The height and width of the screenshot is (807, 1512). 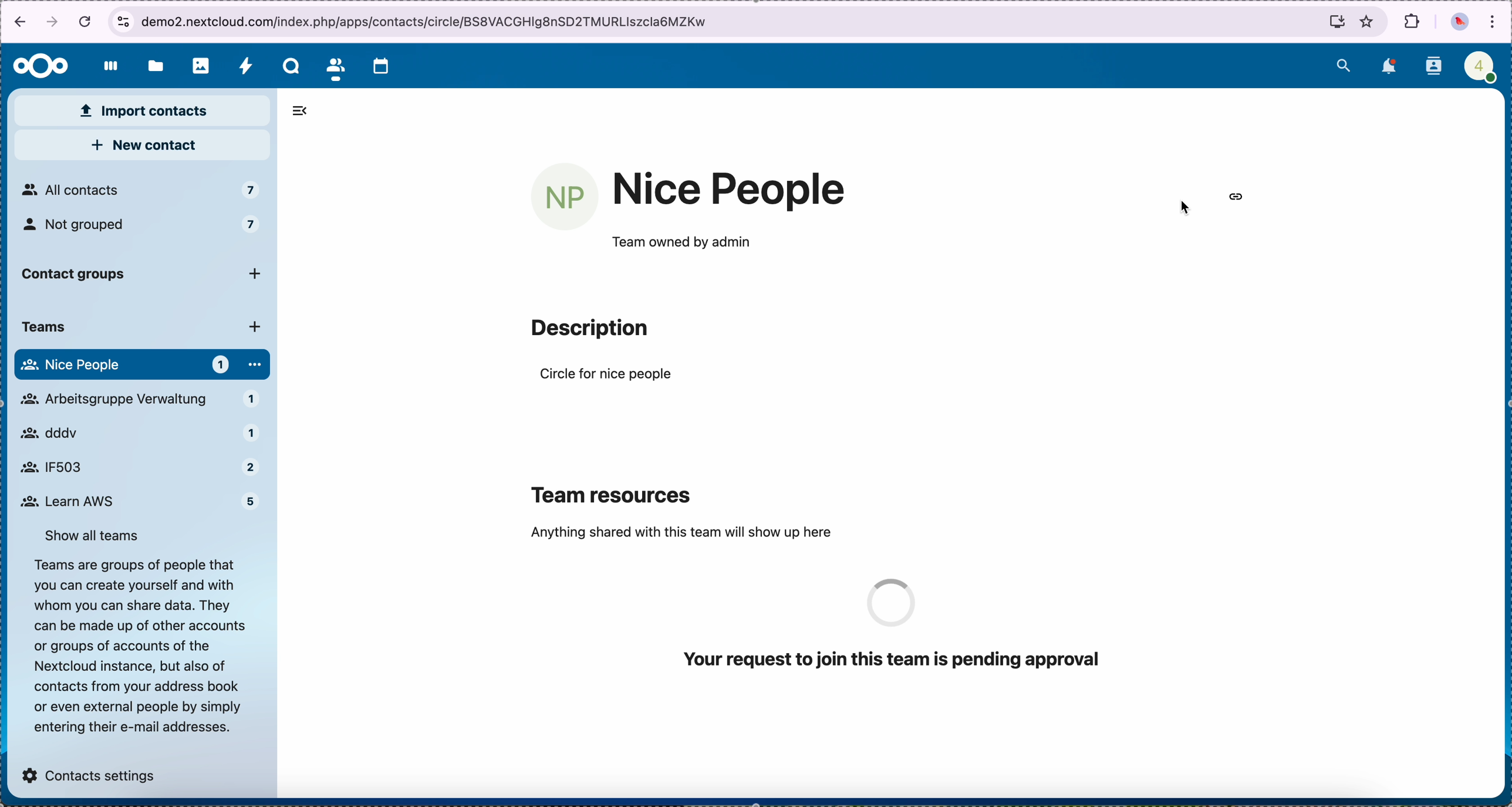 I want to click on anything shared with this team will show up here, so click(x=681, y=532).